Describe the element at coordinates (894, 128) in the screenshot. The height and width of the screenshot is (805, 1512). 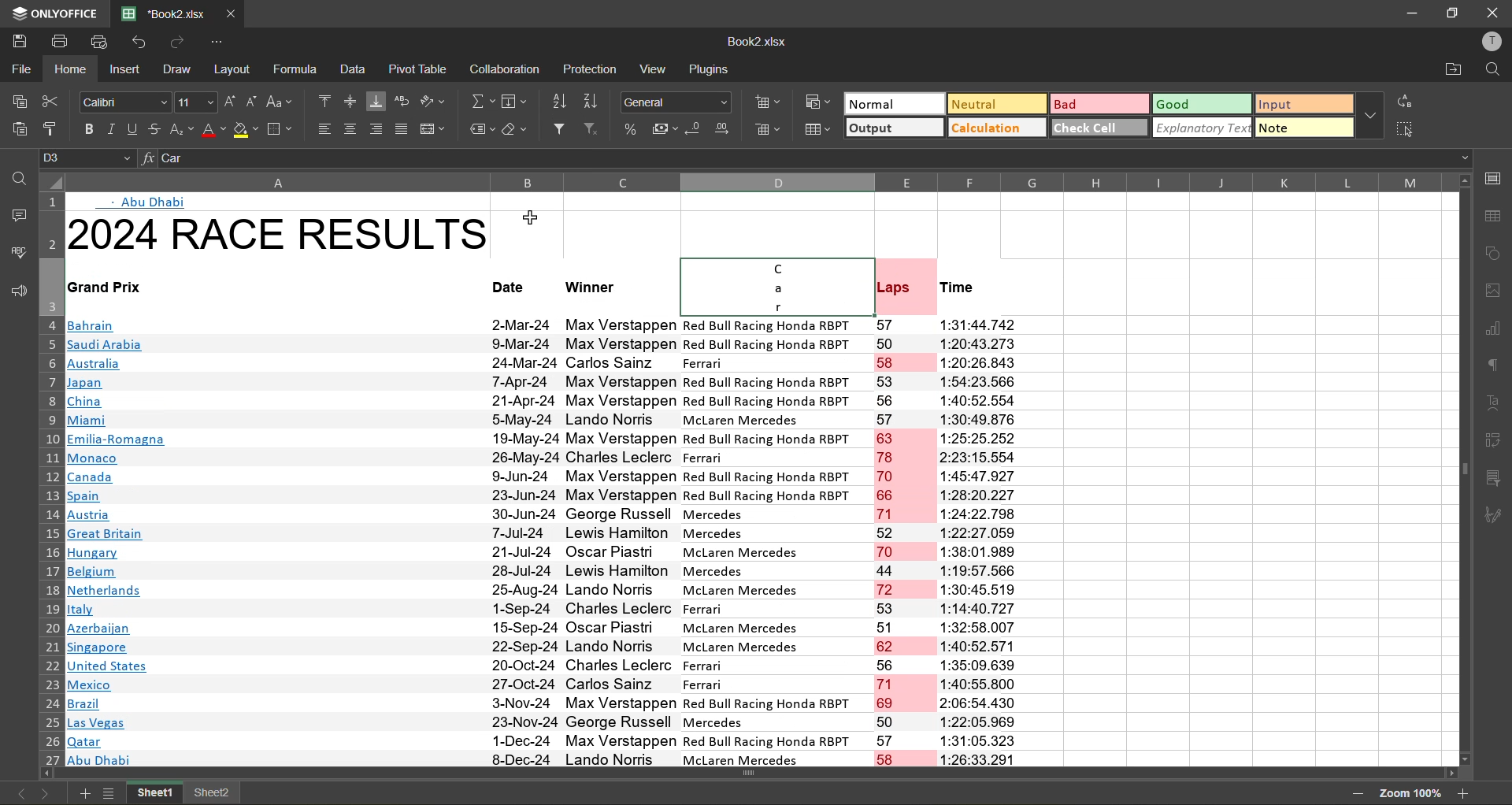
I see `output` at that location.